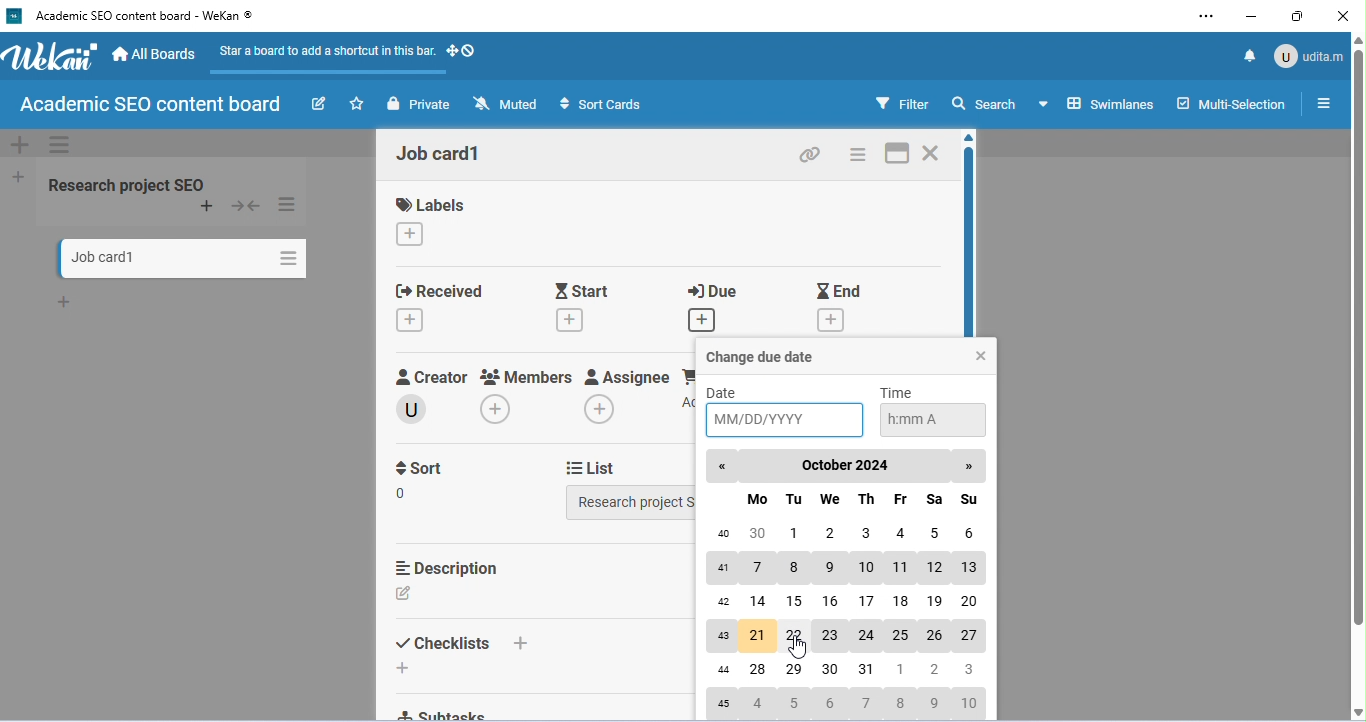  What do you see at coordinates (433, 204) in the screenshot?
I see `labels` at bounding box center [433, 204].